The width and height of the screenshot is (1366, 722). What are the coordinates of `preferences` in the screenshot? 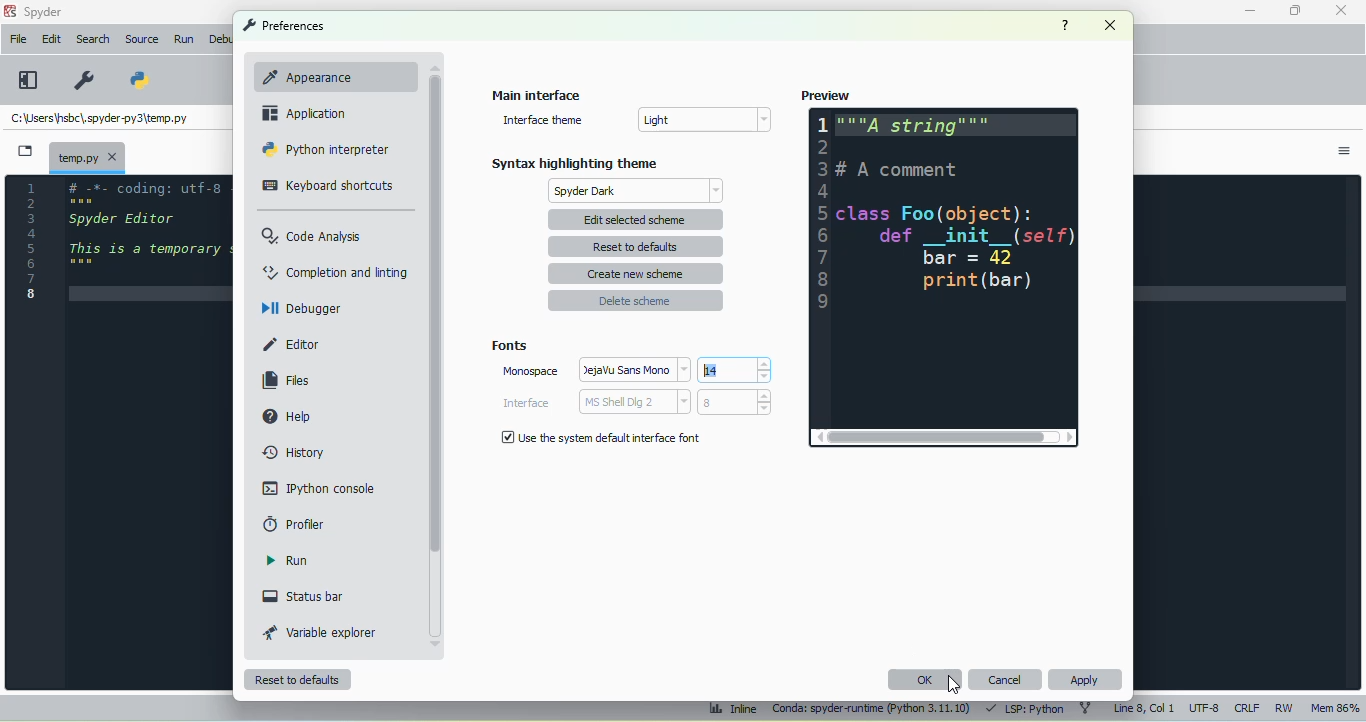 It's located at (86, 80).